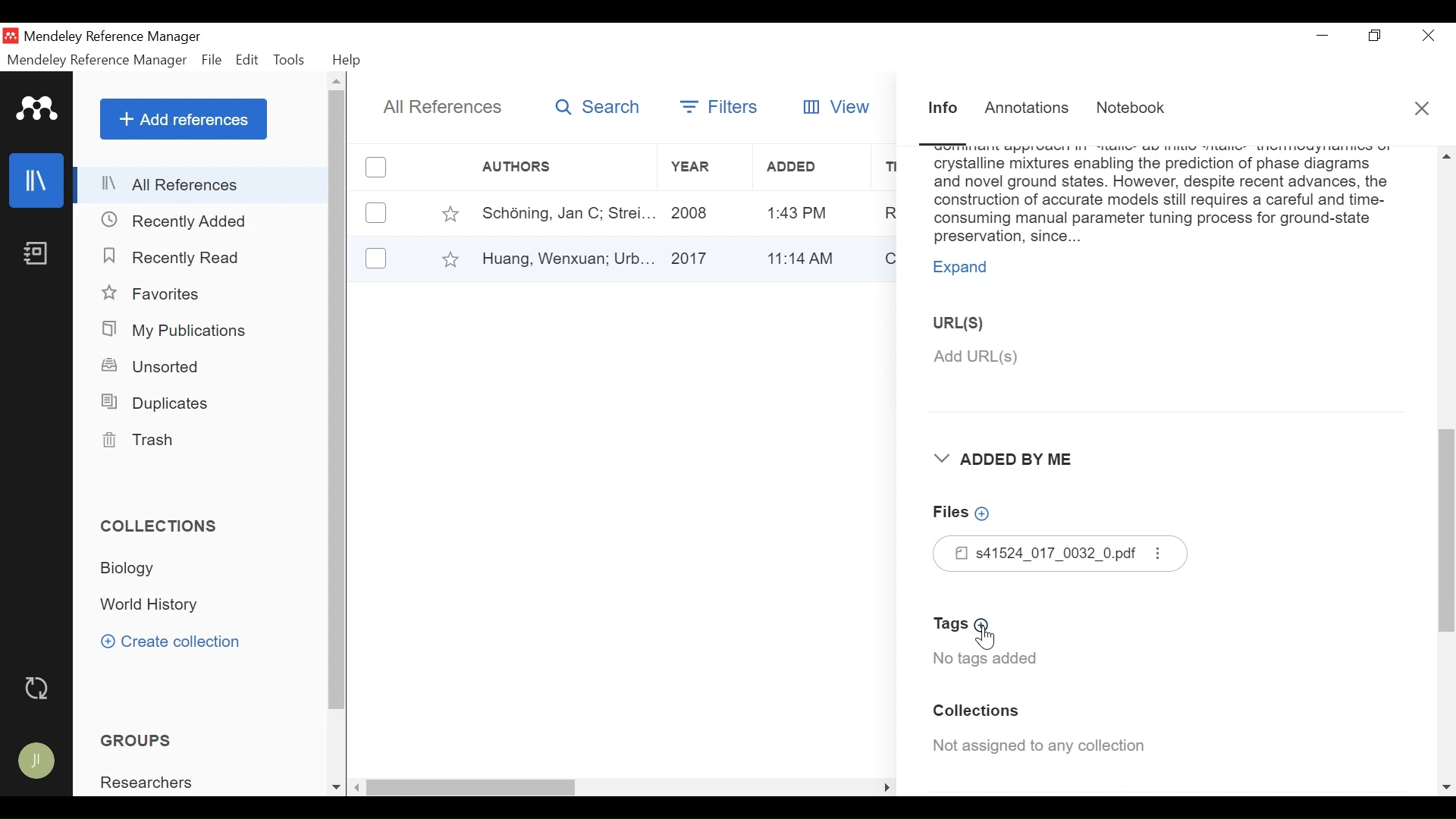 The height and width of the screenshot is (819, 1456). What do you see at coordinates (176, 331) in the screenshot?
I see `My Publications` at bounding box center [176, 331].